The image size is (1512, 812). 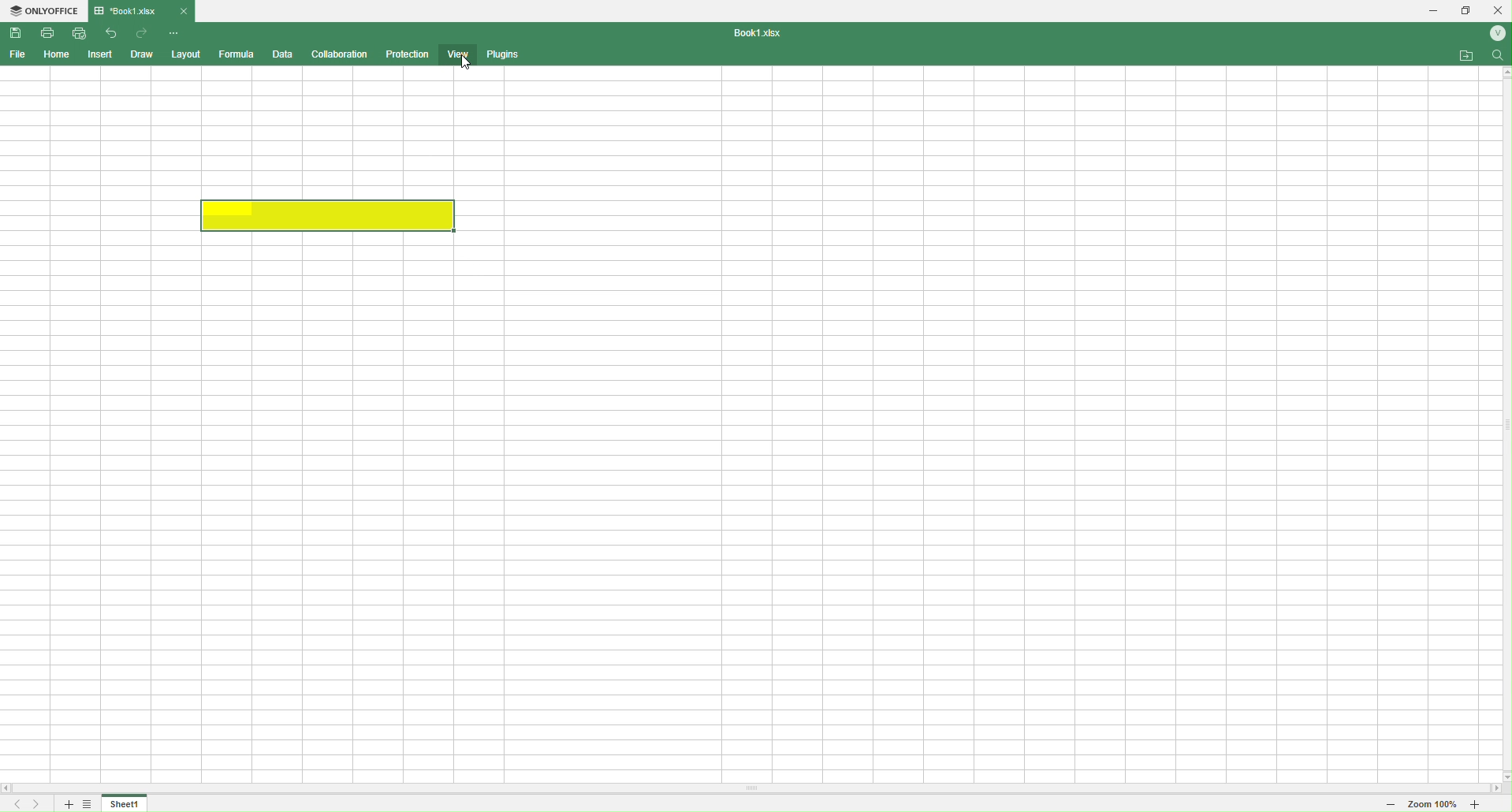 I want to click on Draw, so click(x=143, y=54).